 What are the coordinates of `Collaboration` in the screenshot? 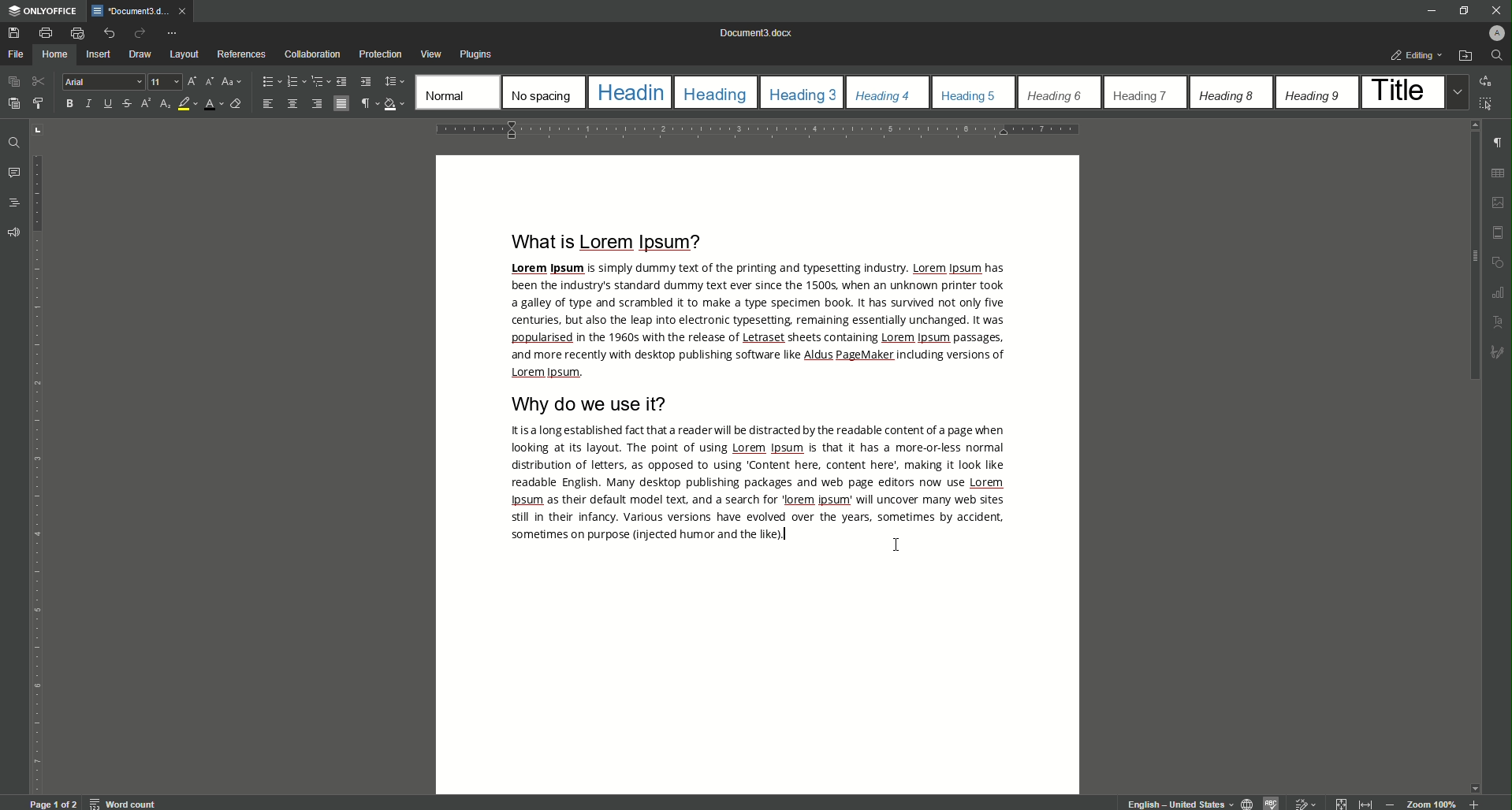 It's located at (311, 54).